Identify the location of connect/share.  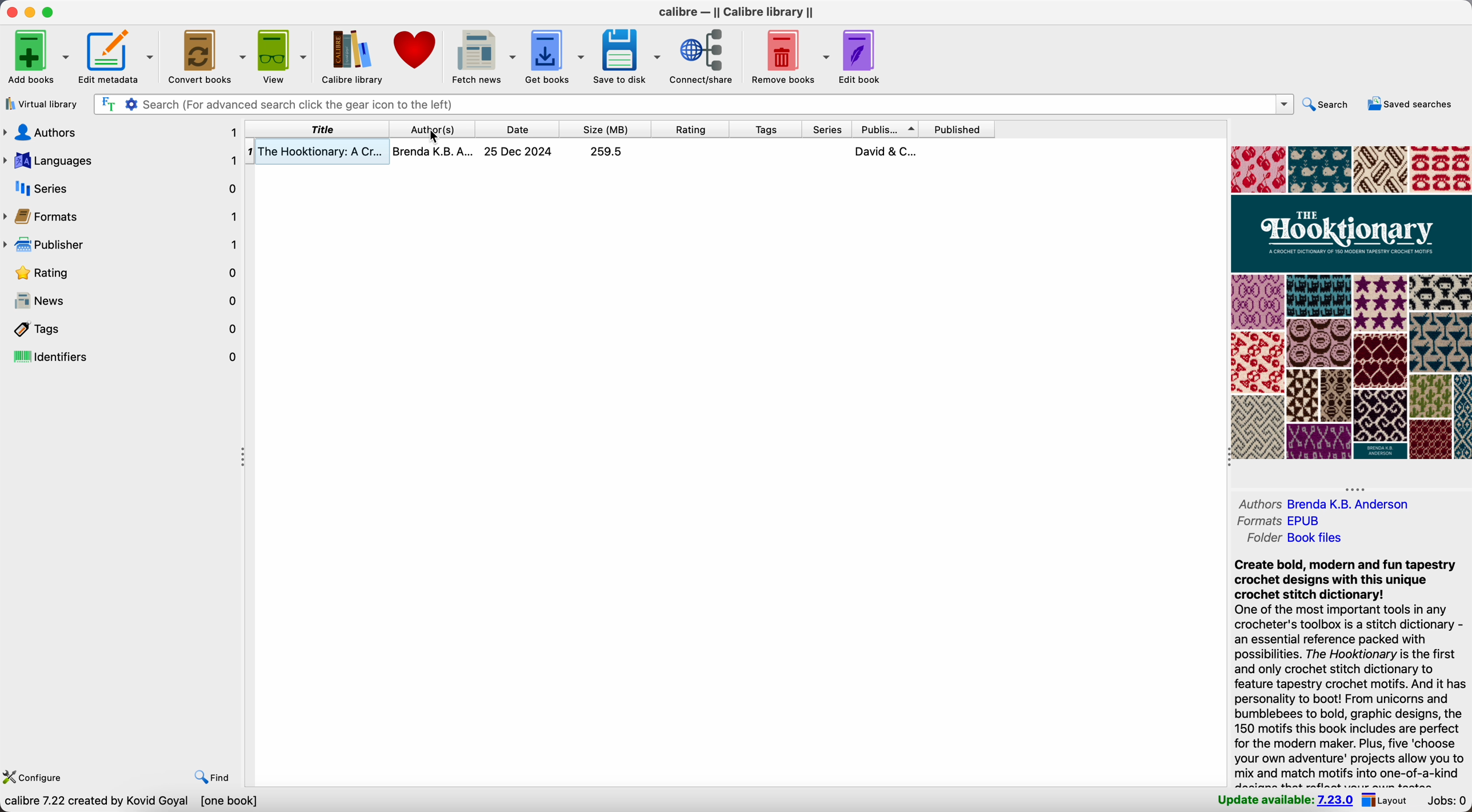
(705, 56).